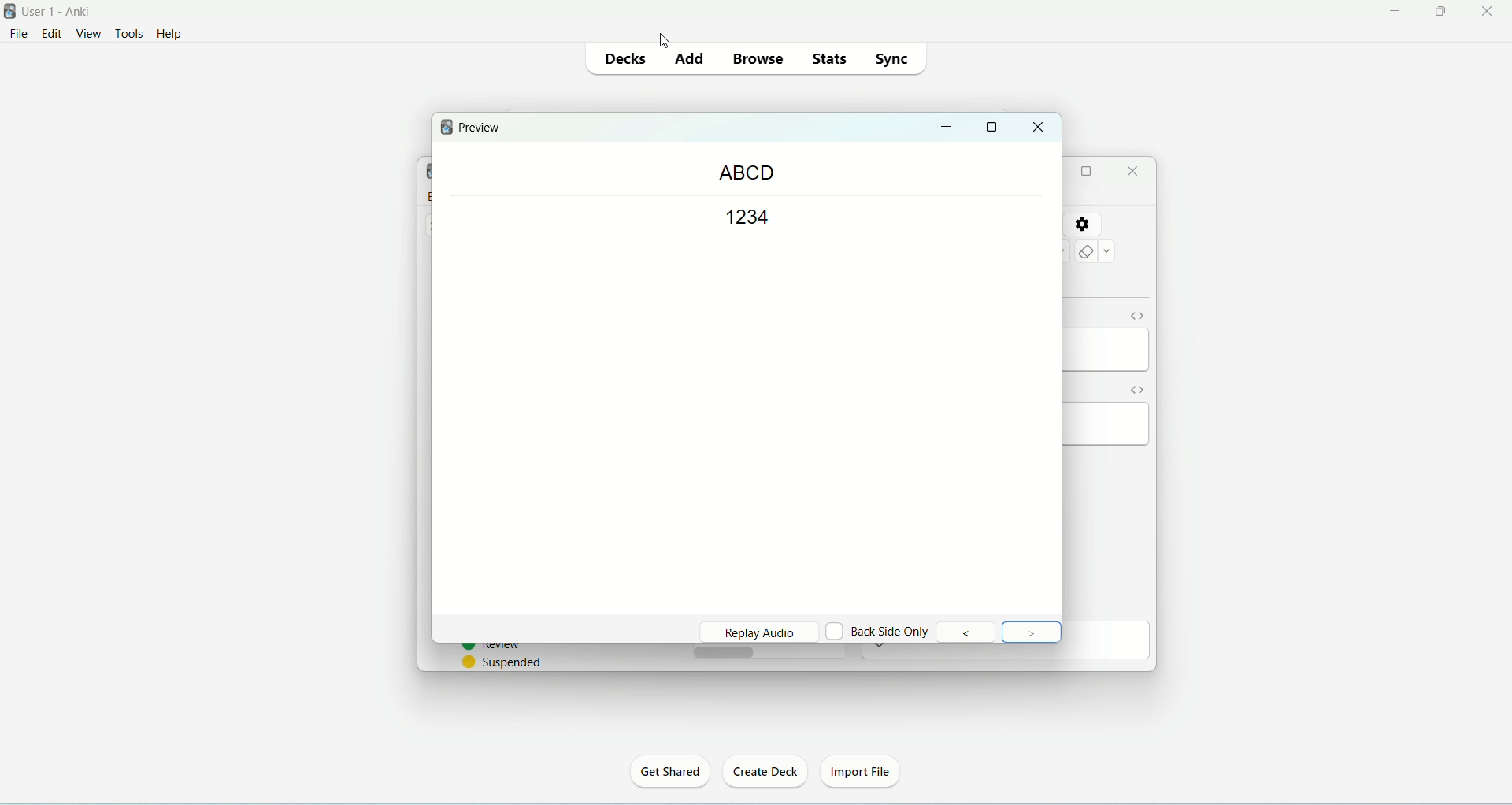 This screenshot has width=1512, height=805. I want to click on add, so click(692, 58).